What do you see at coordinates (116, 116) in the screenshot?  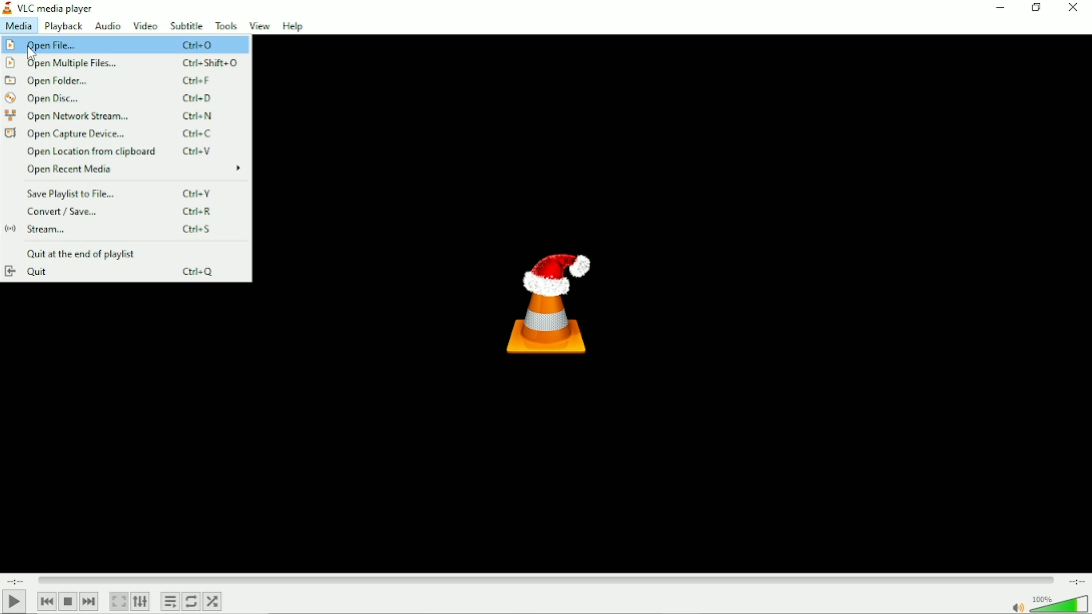 I see `Open network stream` at bounding box center [116, 116].